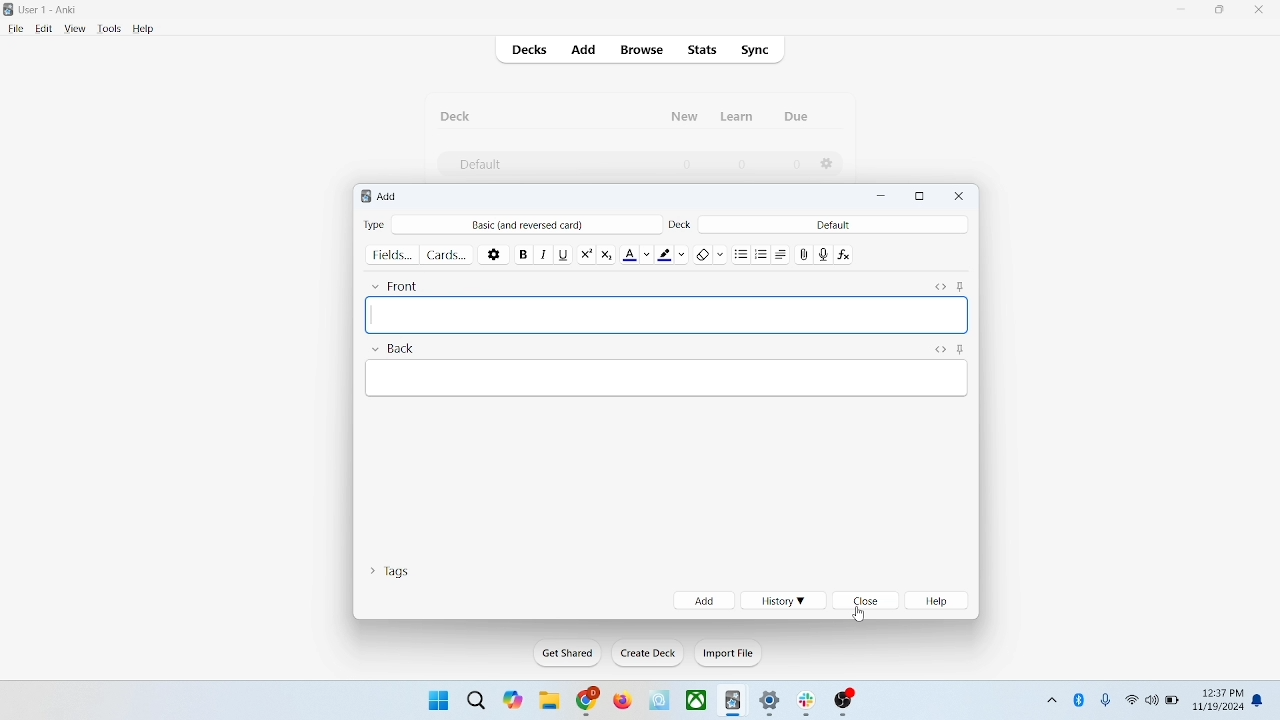  What do you see at coordinates (846, 253) in the screenshot?
I see `function` at bounding box center [846, 253].